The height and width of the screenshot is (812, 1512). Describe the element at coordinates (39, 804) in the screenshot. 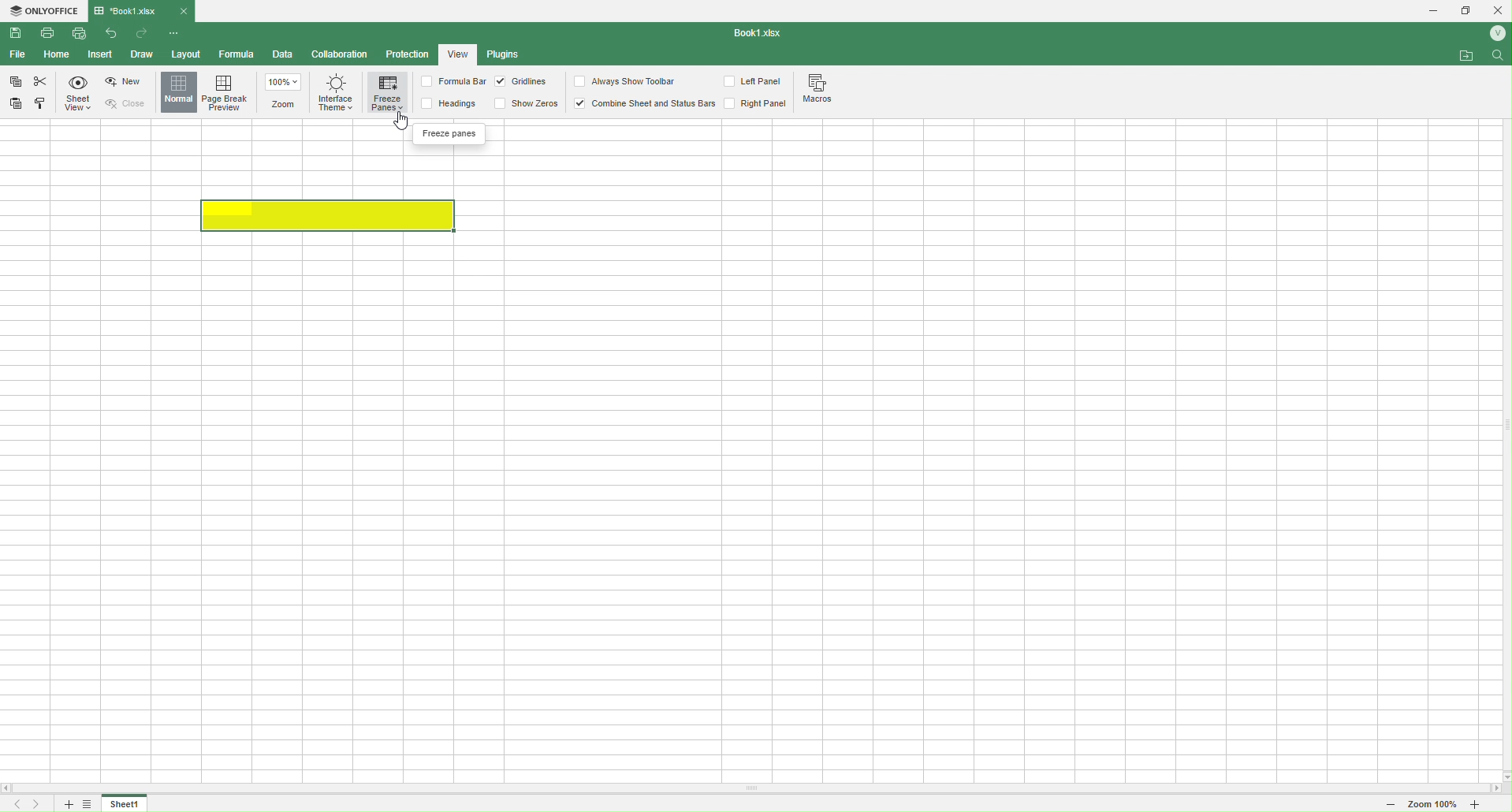

I see `Scroll to the last sheet` at that location.